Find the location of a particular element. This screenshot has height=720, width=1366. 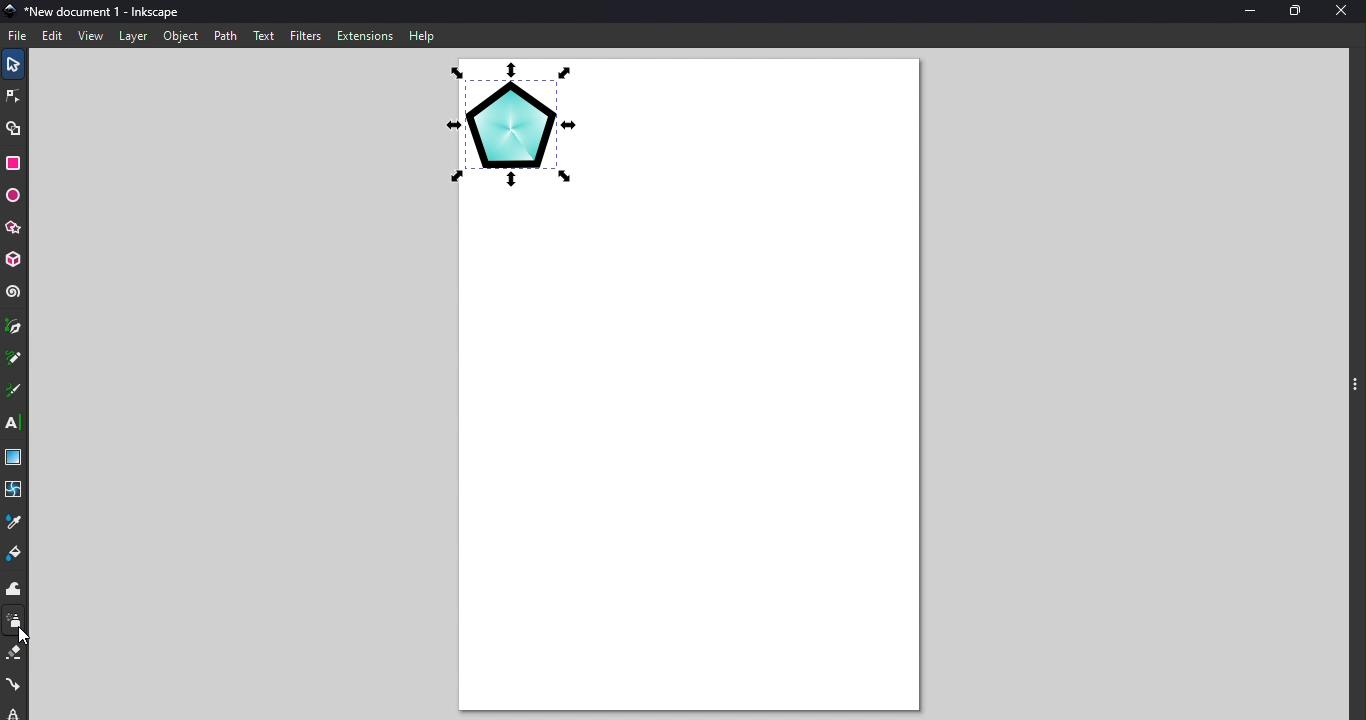

Extensions is located at coordinates (367, 35).